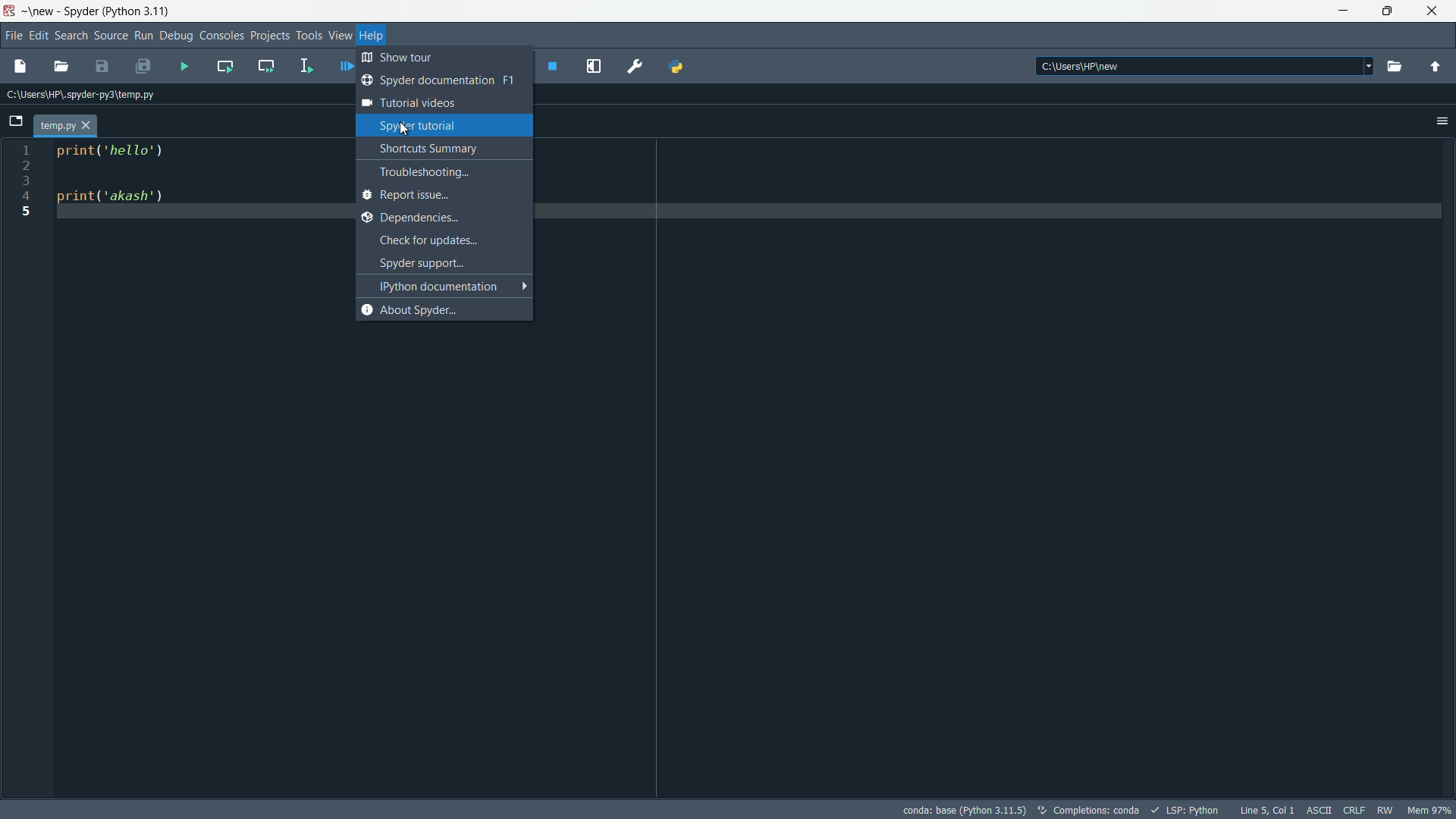 The width and height of the screenshot is (1456, 819). What do you see at coordinates (1318, 809) in the screenshot?
I see `ASCII` at bounding box center [1318, 809].